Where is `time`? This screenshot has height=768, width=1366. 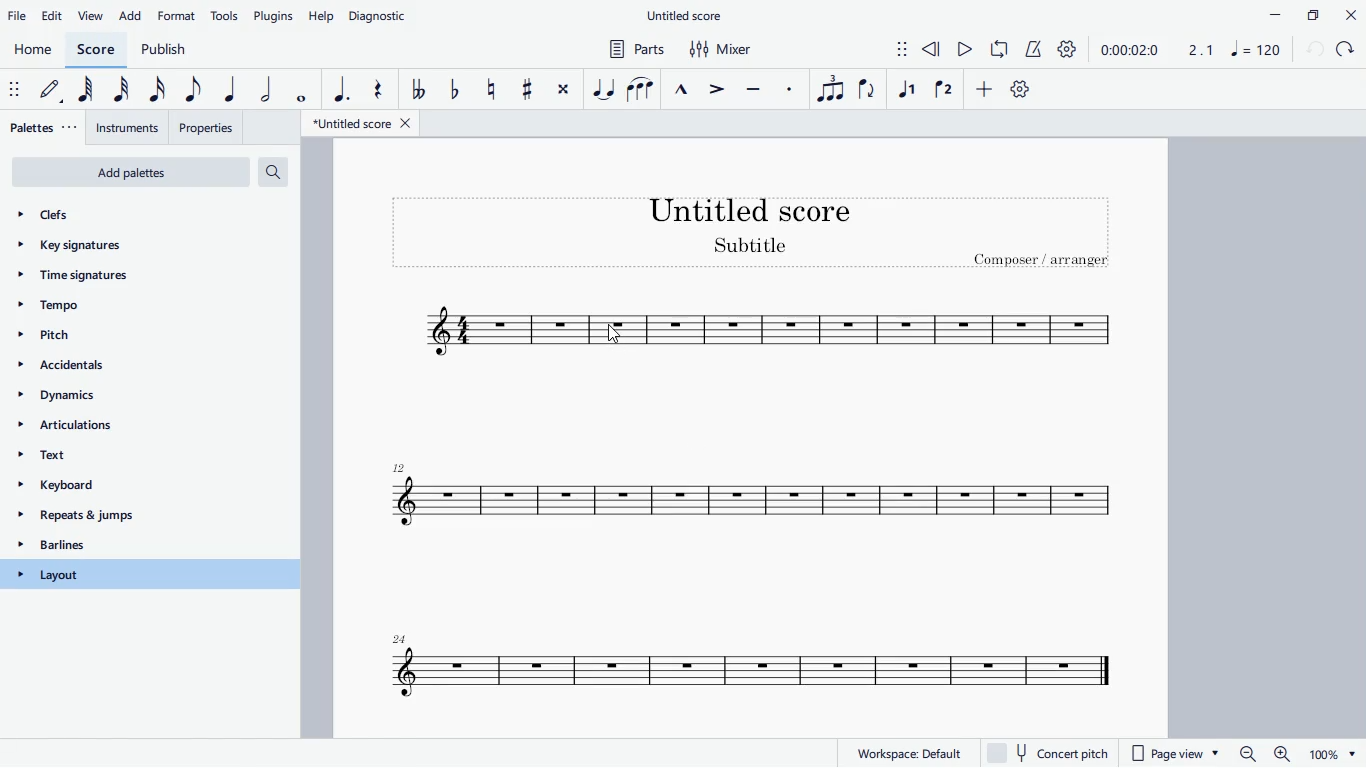
time is located at coordinates (1129, 49).